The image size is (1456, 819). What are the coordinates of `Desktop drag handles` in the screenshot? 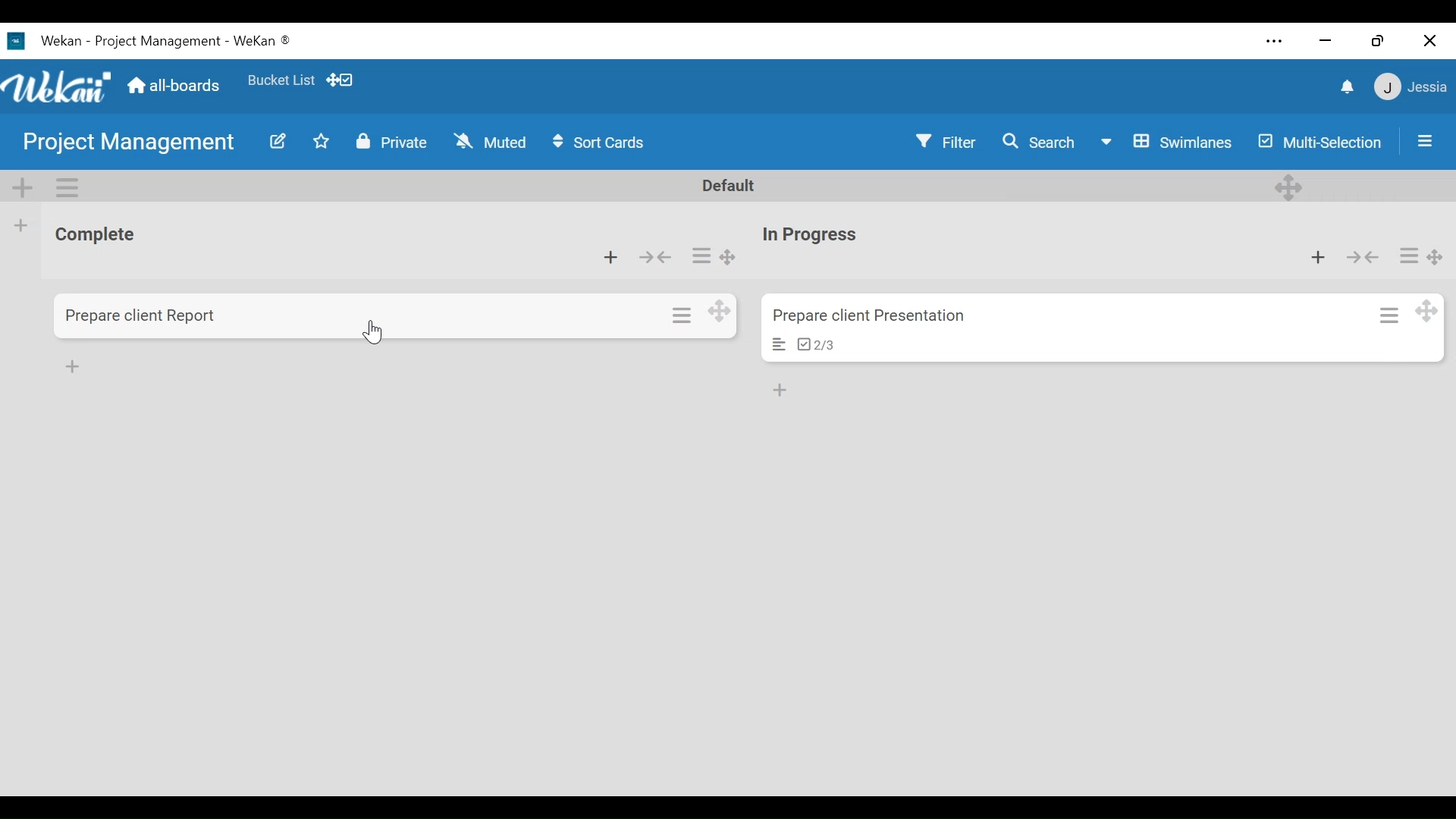 It's located at (718, 311).